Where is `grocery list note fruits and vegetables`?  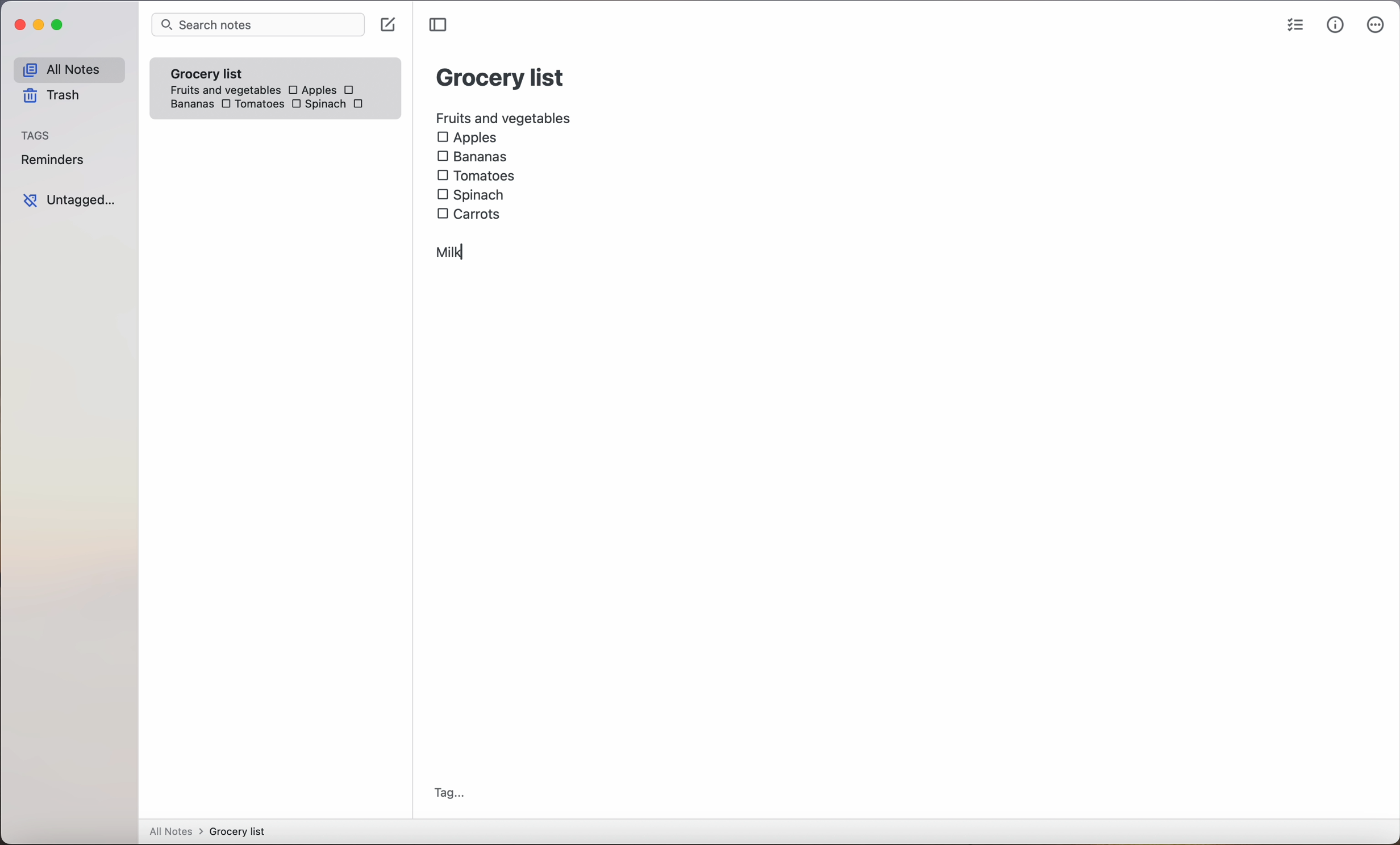 grocery list note fruits and vegetables is located at coordinates (221, 77).